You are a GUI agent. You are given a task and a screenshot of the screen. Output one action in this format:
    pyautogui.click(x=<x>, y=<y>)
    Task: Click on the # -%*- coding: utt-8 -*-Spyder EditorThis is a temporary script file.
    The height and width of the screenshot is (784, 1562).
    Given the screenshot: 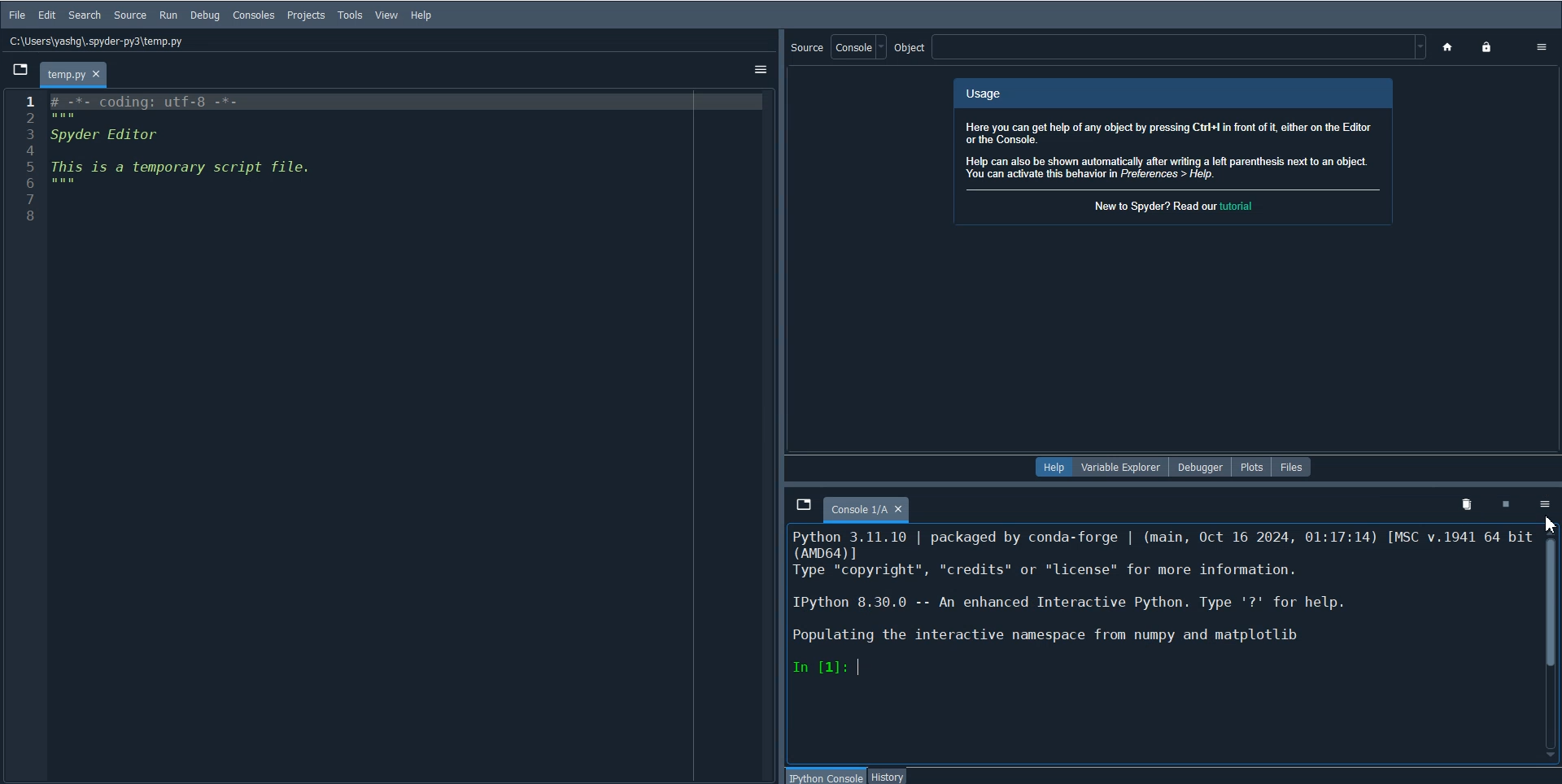 What is the action you would take?
    pyautogui.click(x=188, y=145)
    